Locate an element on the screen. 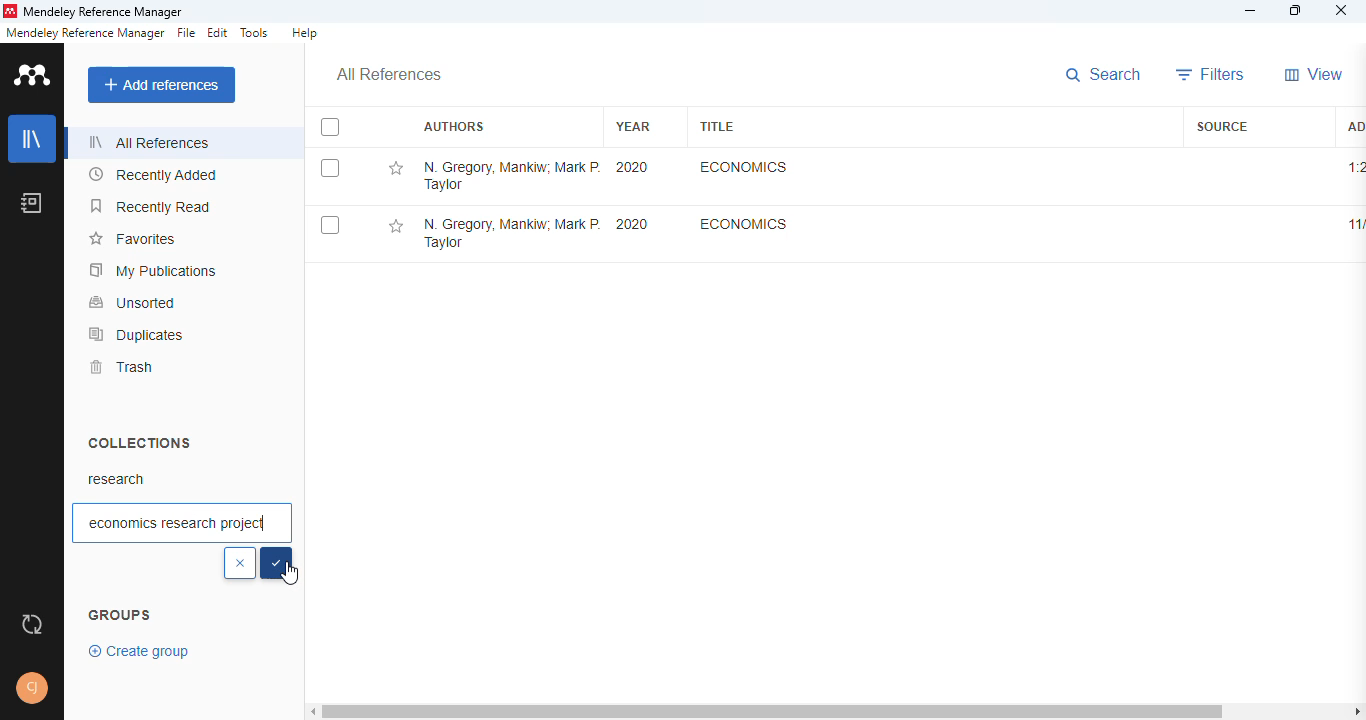 The image size is (1366, 720). authors is located at coordinates (453, 127).